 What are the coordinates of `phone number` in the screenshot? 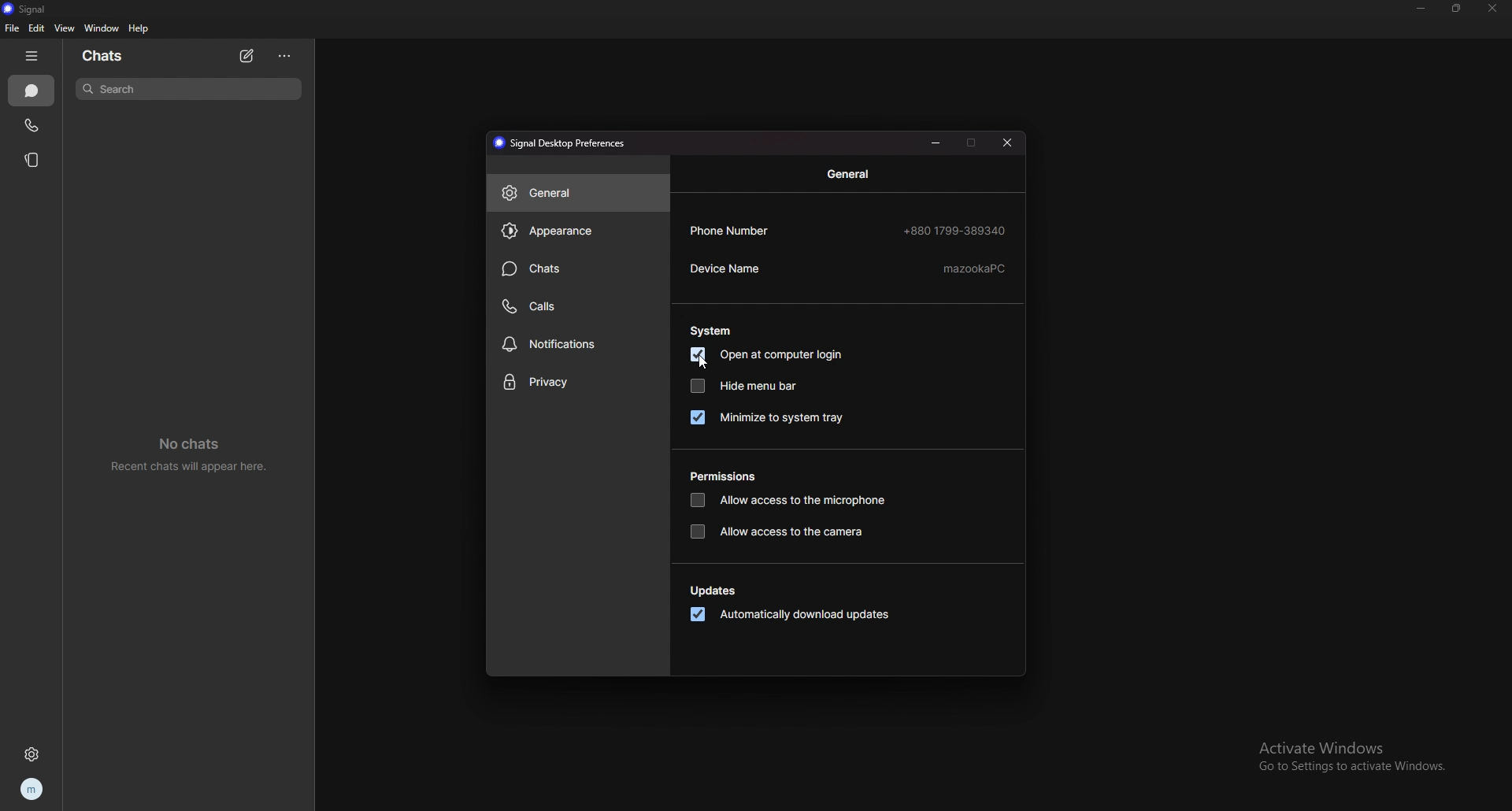 It's located at (849, 230).